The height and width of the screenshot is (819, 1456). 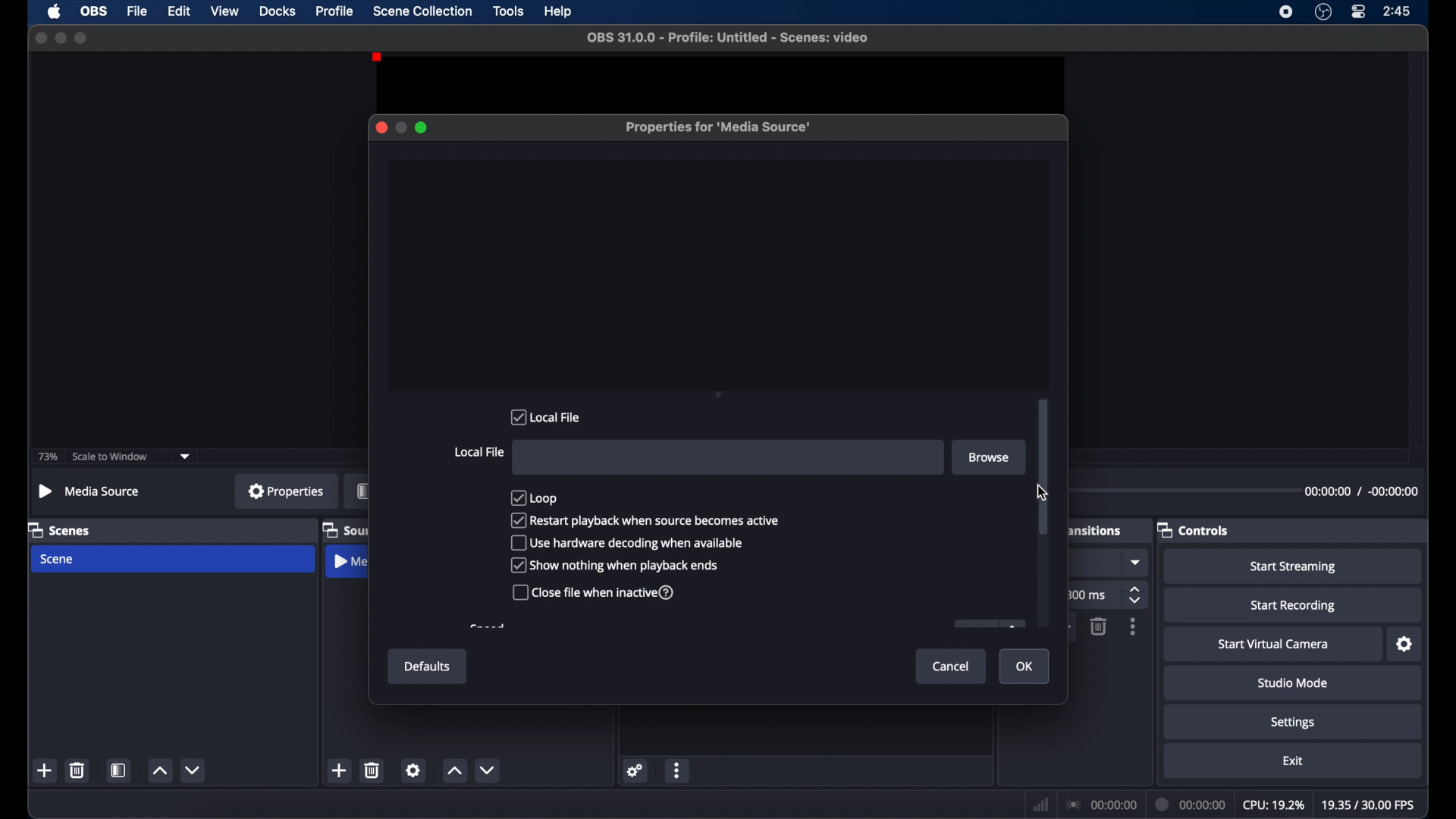 I want to click on close, so click(x=381, y=127).